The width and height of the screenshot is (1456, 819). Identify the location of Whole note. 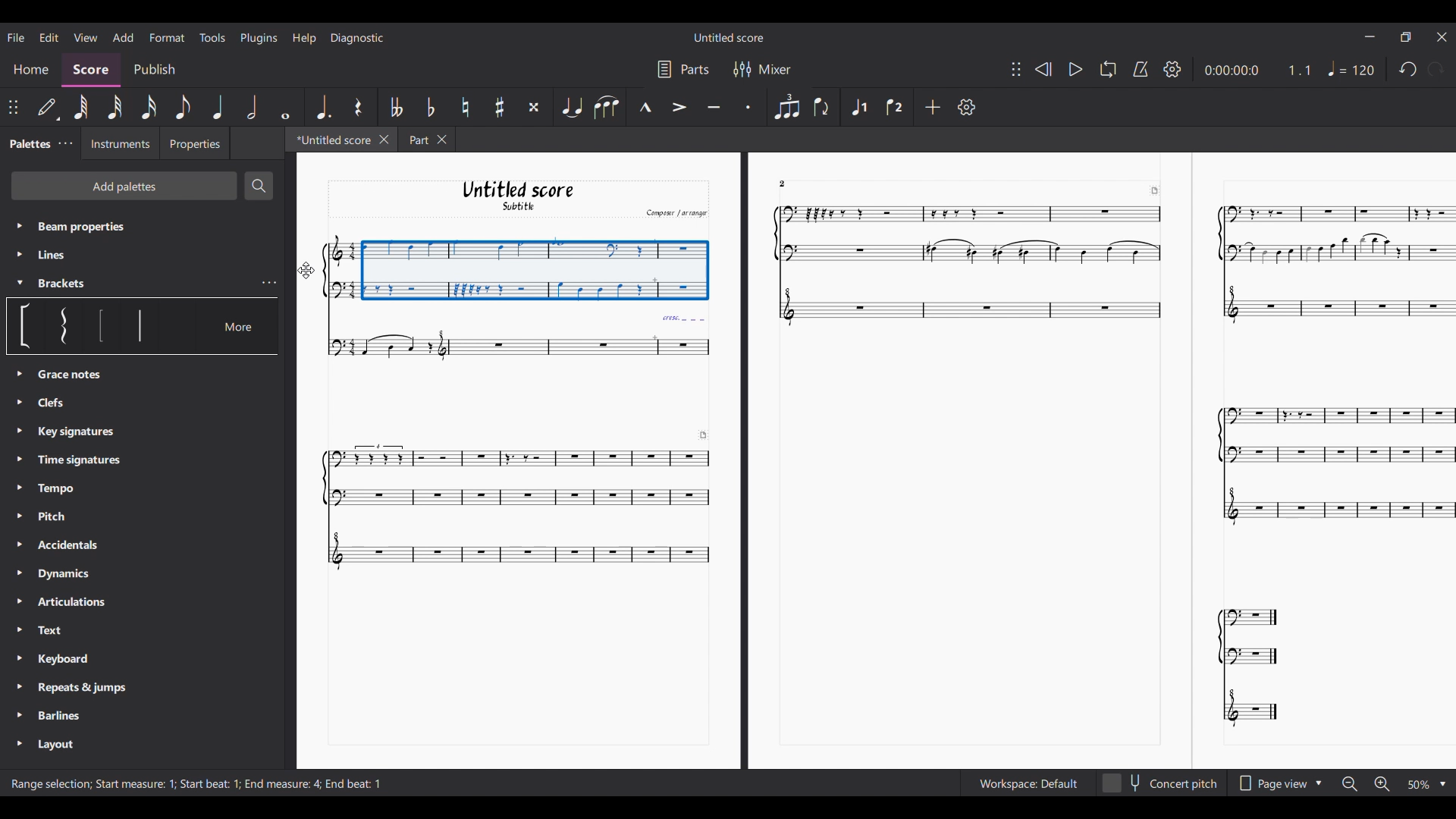
(284, 107).